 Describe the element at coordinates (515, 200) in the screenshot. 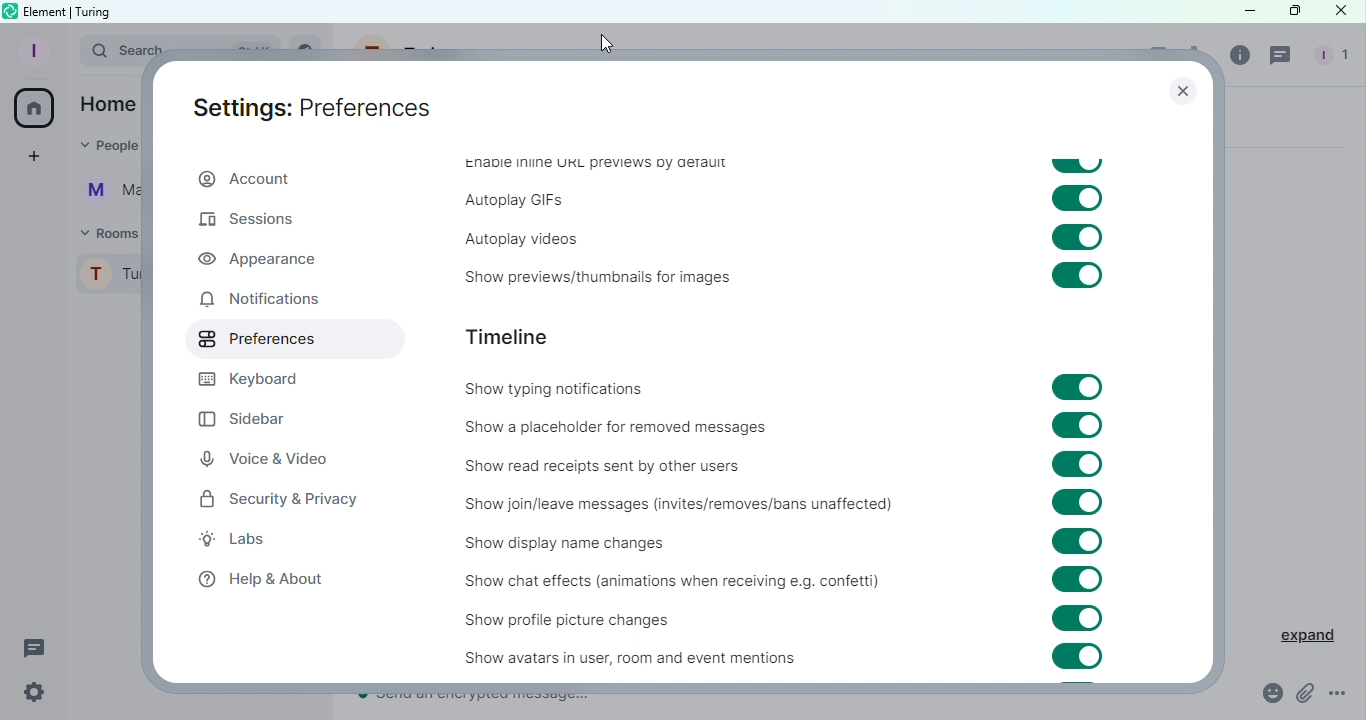

I see `Autoplay GIFs` at that location.